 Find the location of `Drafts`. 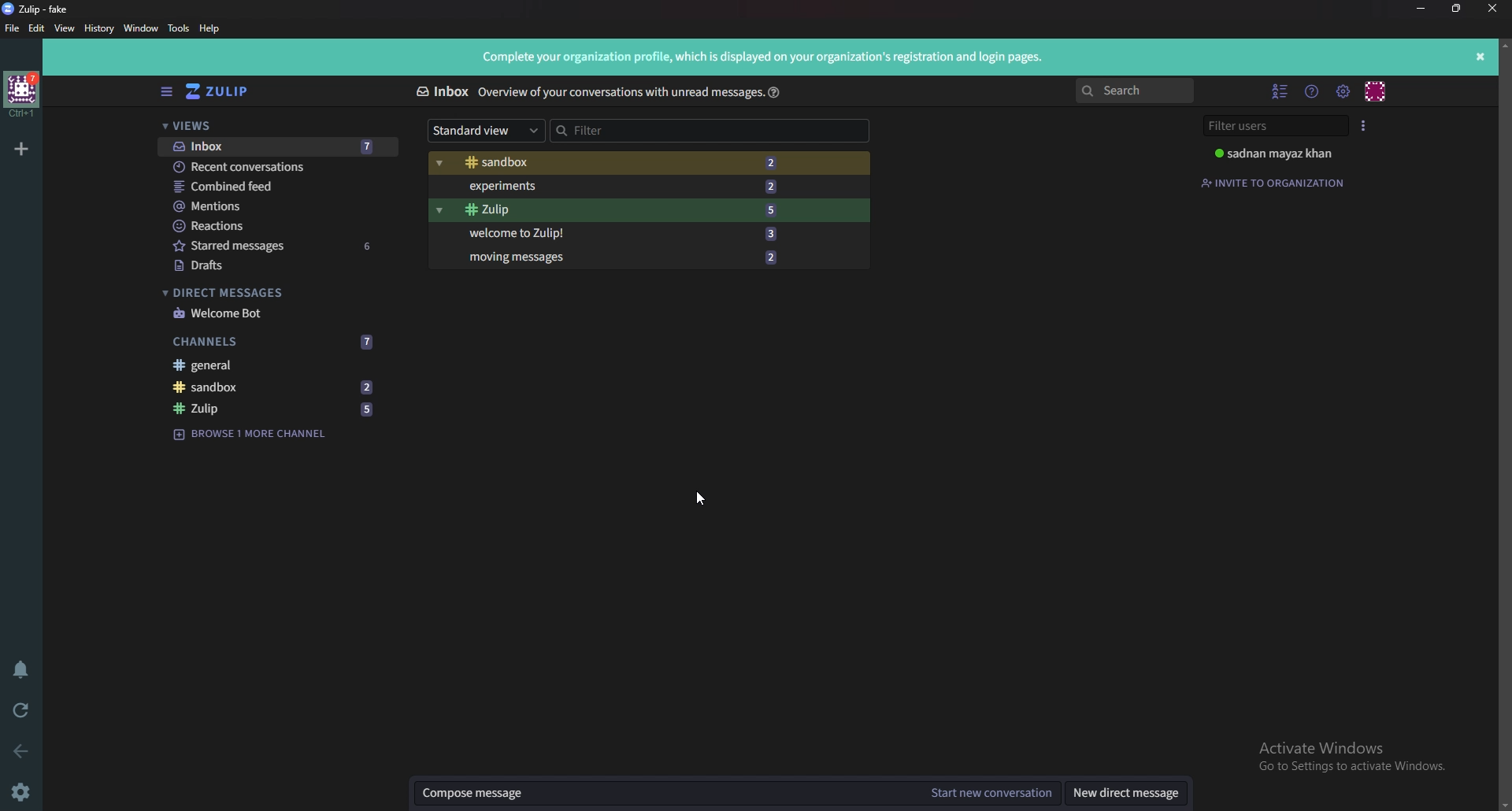

Drafts is located at coordinates (269, 265).